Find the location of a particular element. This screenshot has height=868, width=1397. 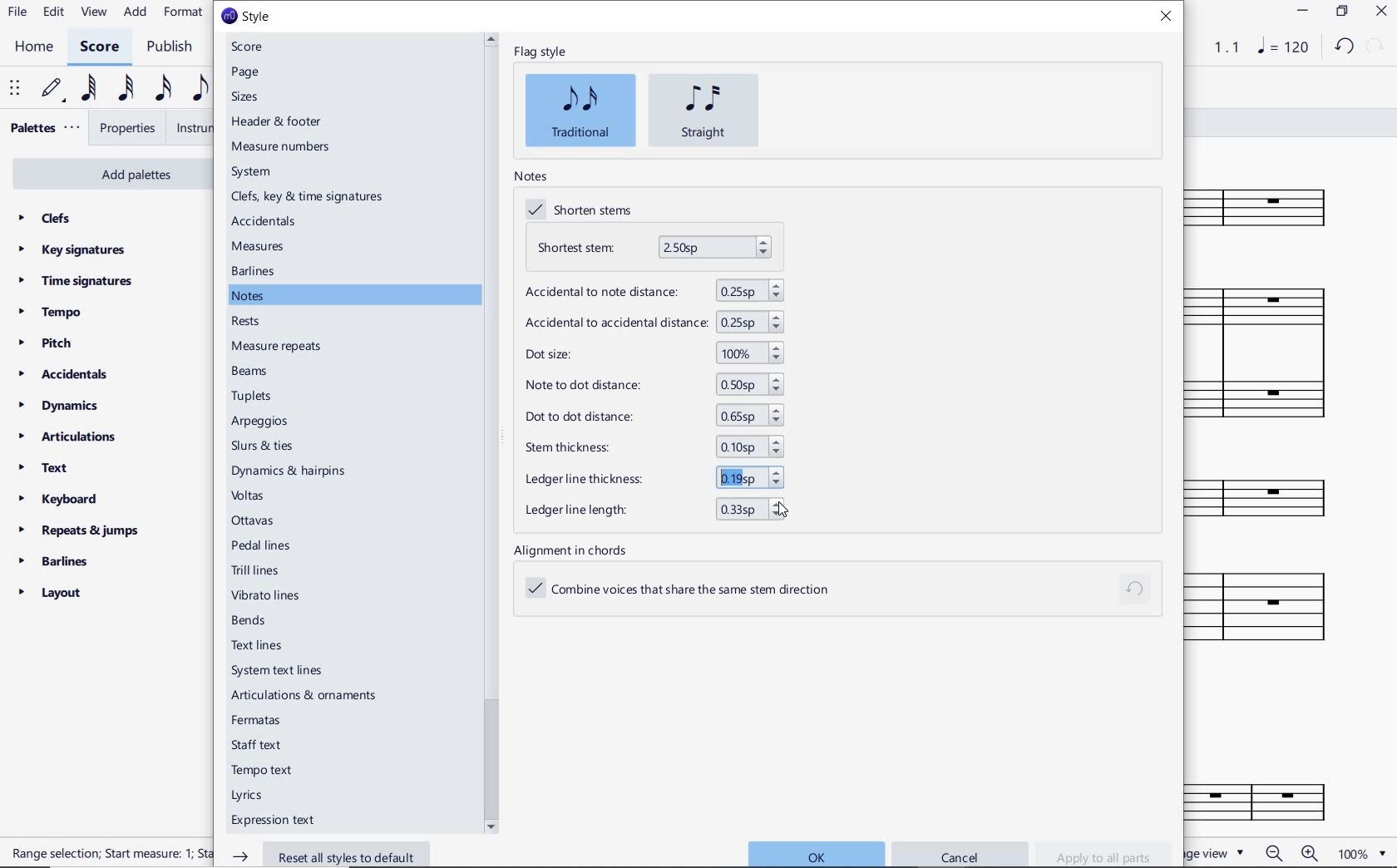

16th note is located at coordinates (165, 91).